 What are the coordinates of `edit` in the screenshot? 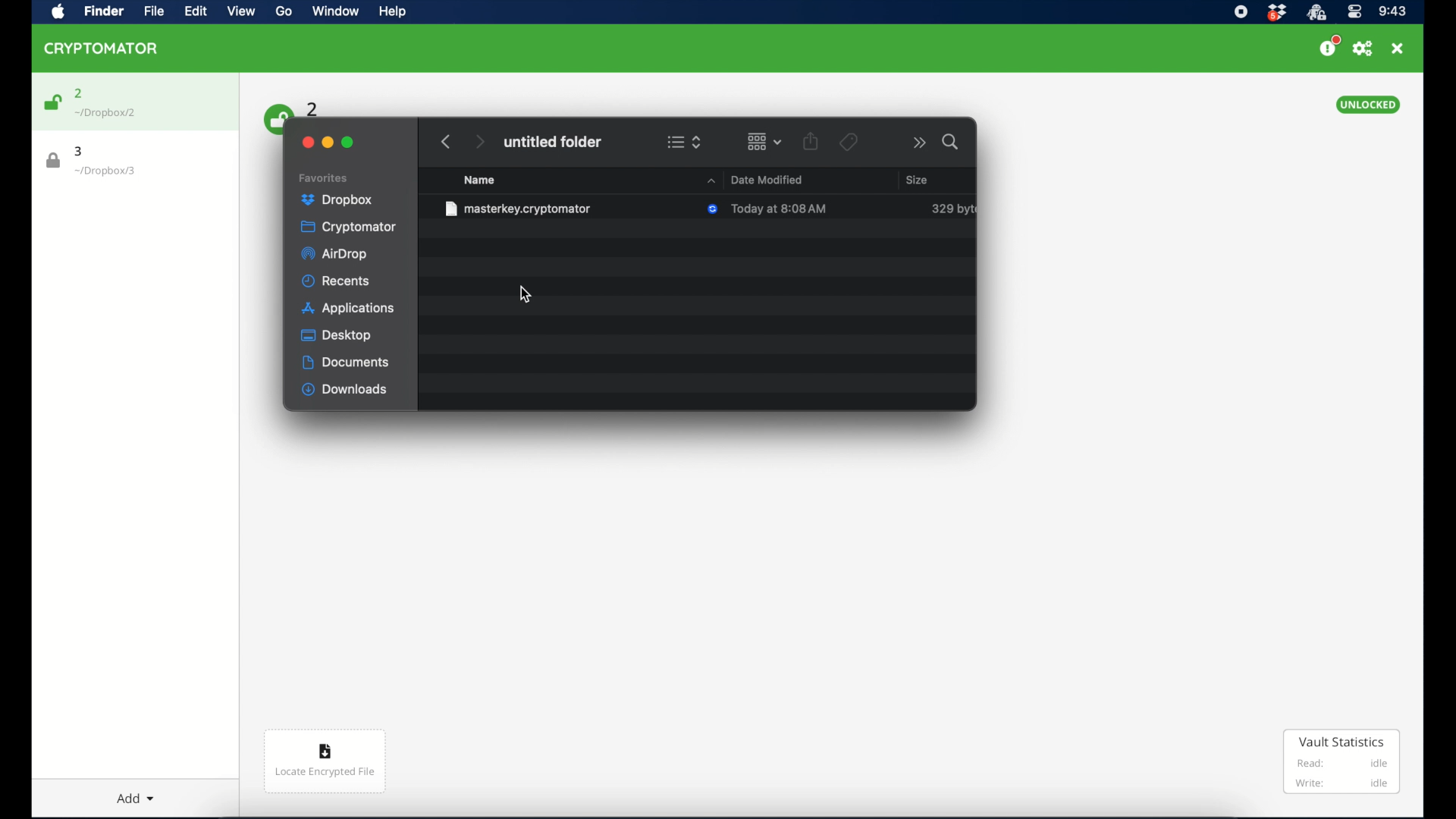 It's located at (195, 11).